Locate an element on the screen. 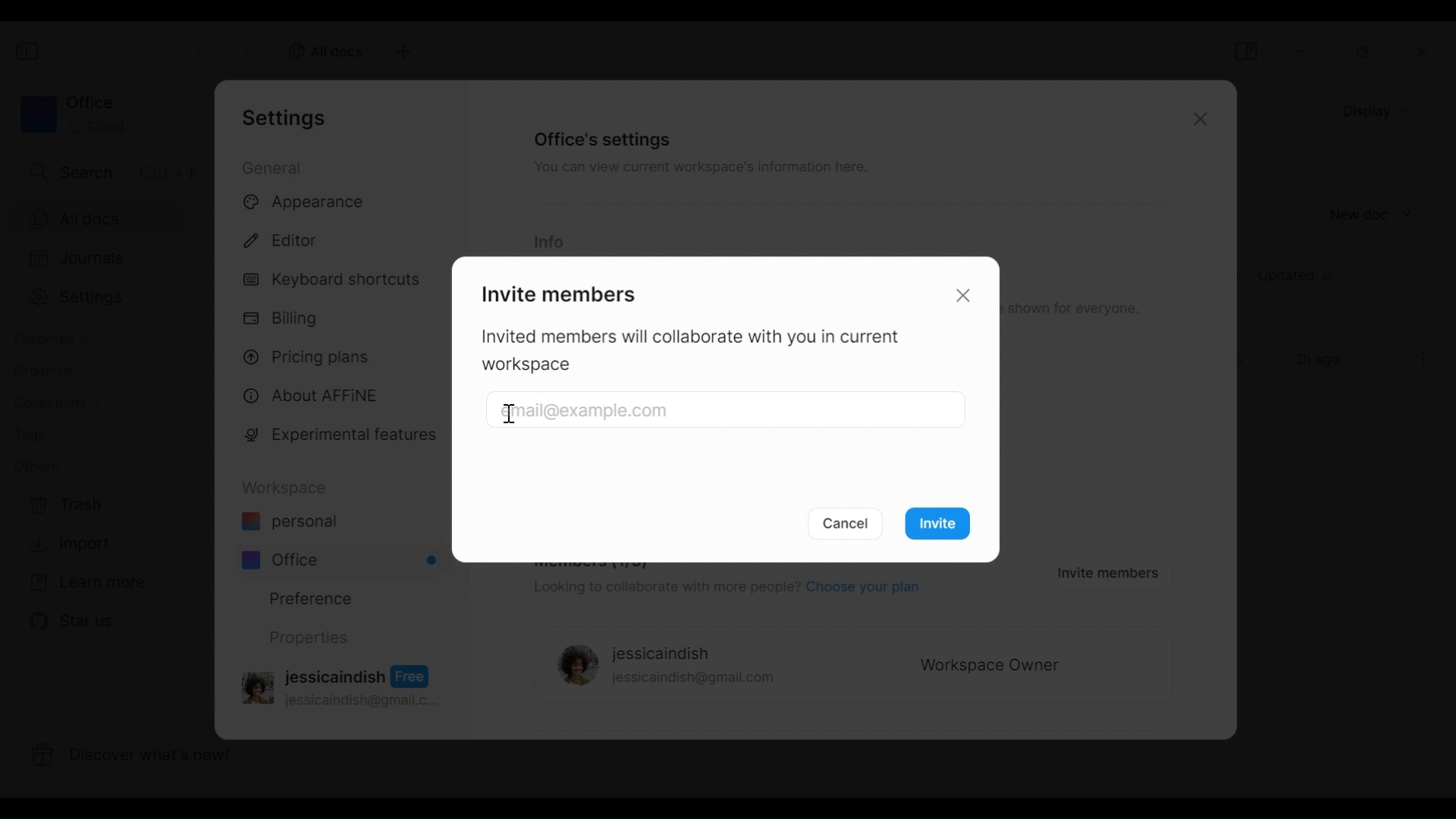 The image size is (1456, 819). Only an owner can edit the workspace avatar and name. Changes will be shown for everyone. is located at coordinates (1077, 309).